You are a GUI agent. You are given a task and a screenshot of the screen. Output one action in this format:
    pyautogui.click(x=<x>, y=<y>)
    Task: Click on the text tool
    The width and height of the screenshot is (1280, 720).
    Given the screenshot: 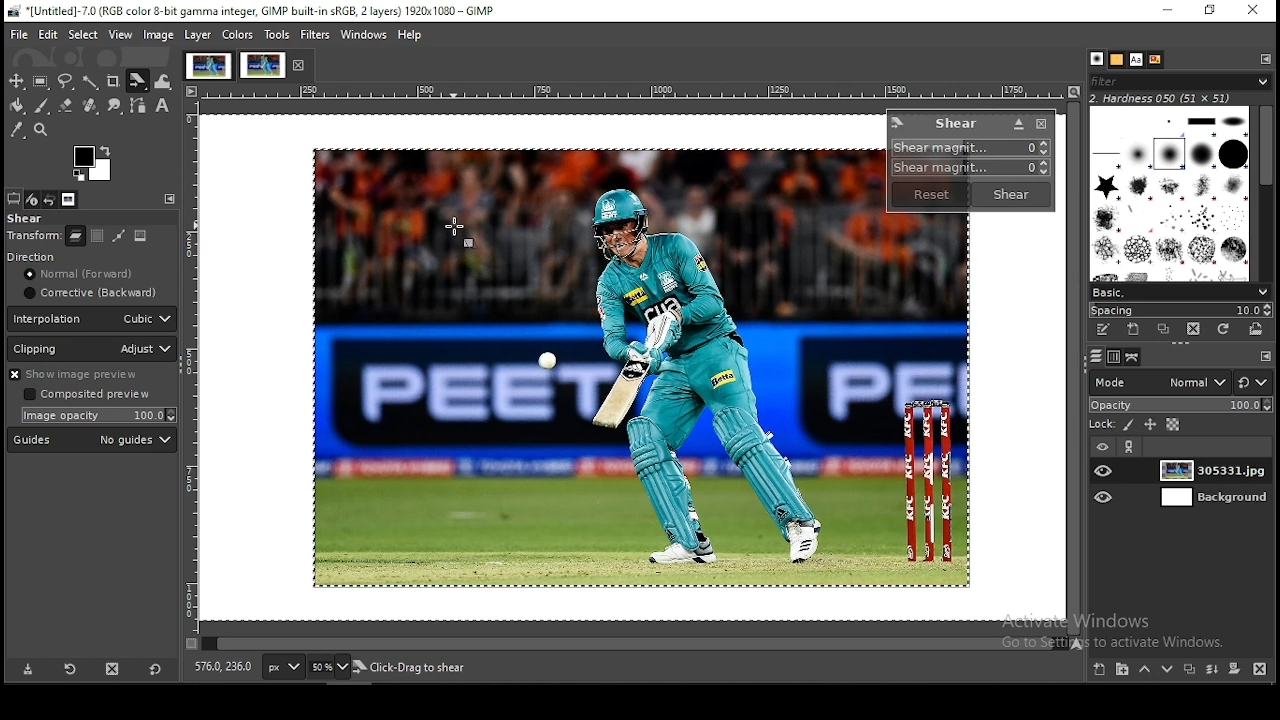 What is the action you would take?
    pyautogui.click(x=164, y=106)
    